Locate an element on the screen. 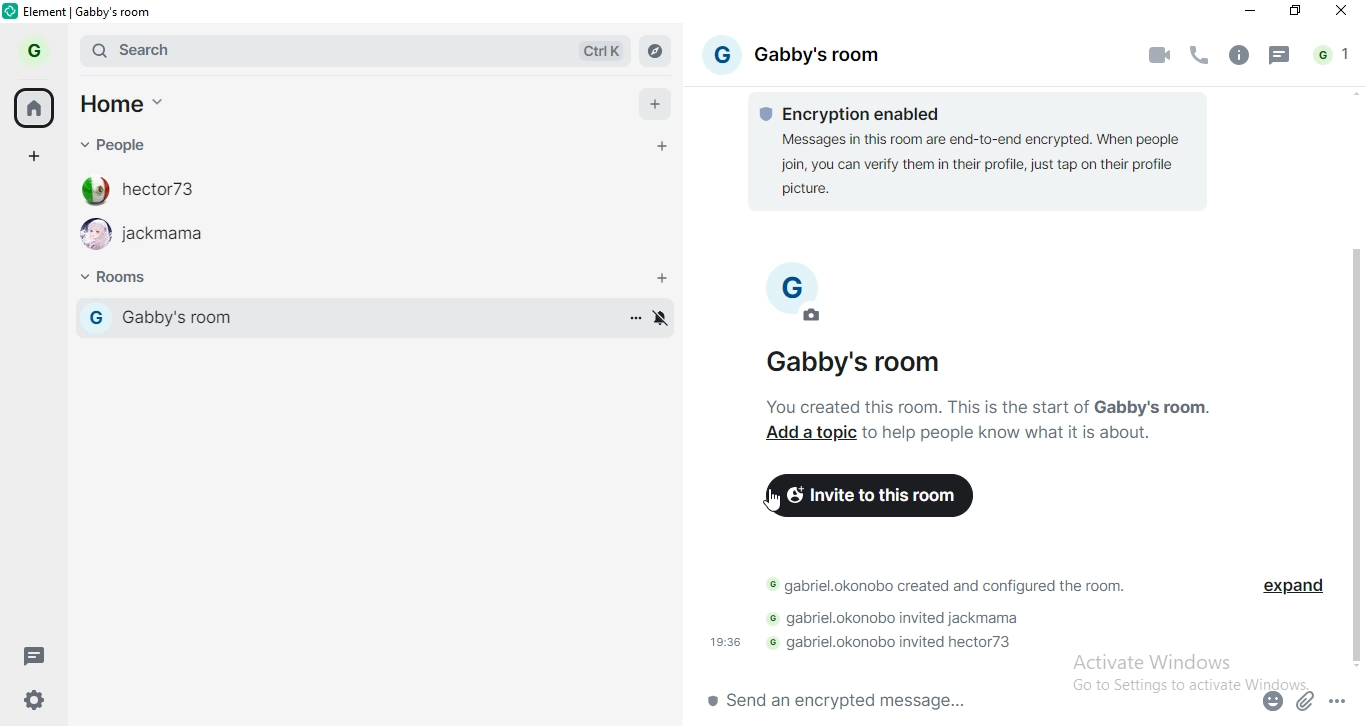  profile is located at coordinates (35, 48).